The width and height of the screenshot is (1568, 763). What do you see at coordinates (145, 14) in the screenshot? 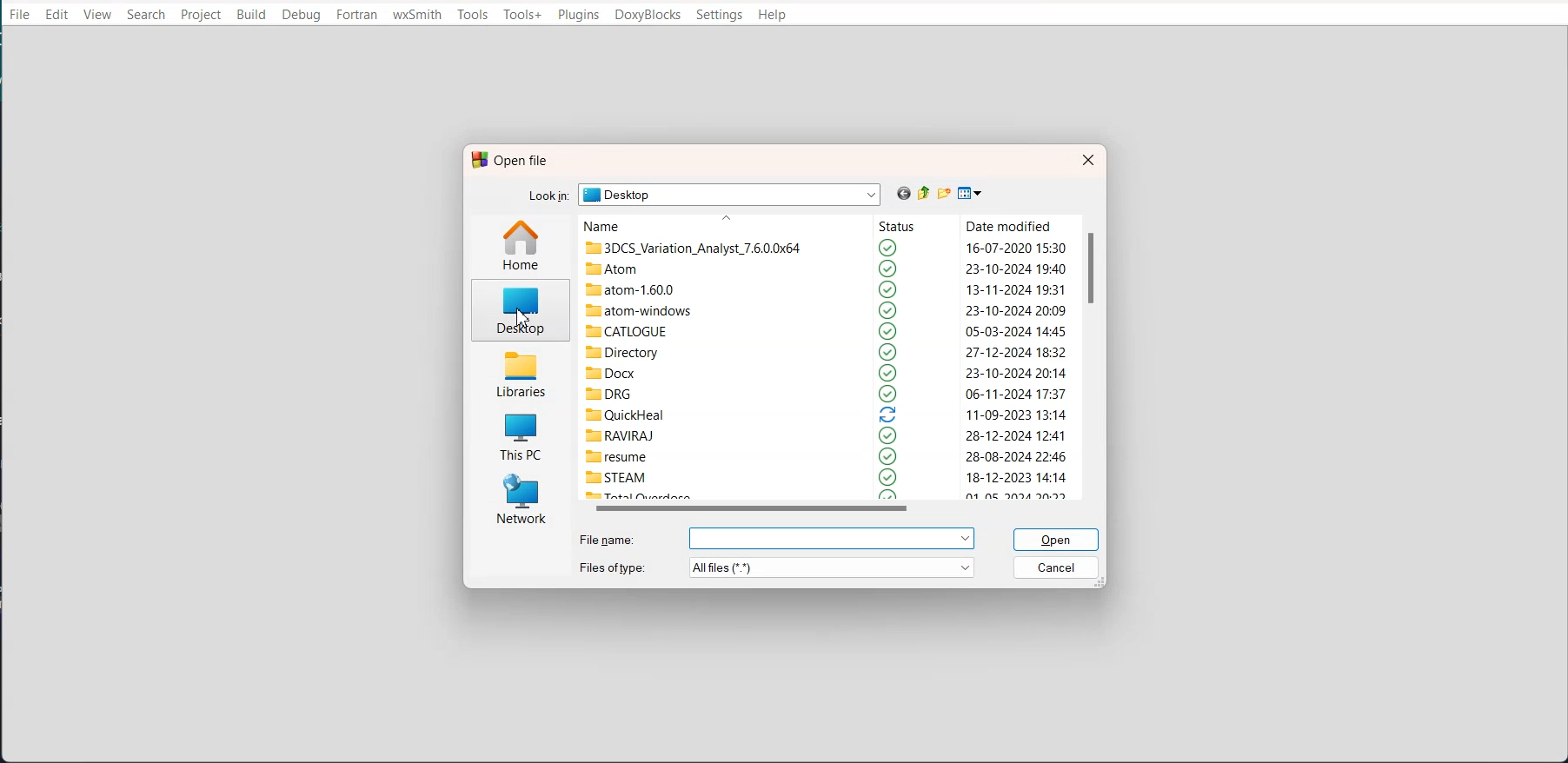
I see `Search` at bounding box center [145, 14].